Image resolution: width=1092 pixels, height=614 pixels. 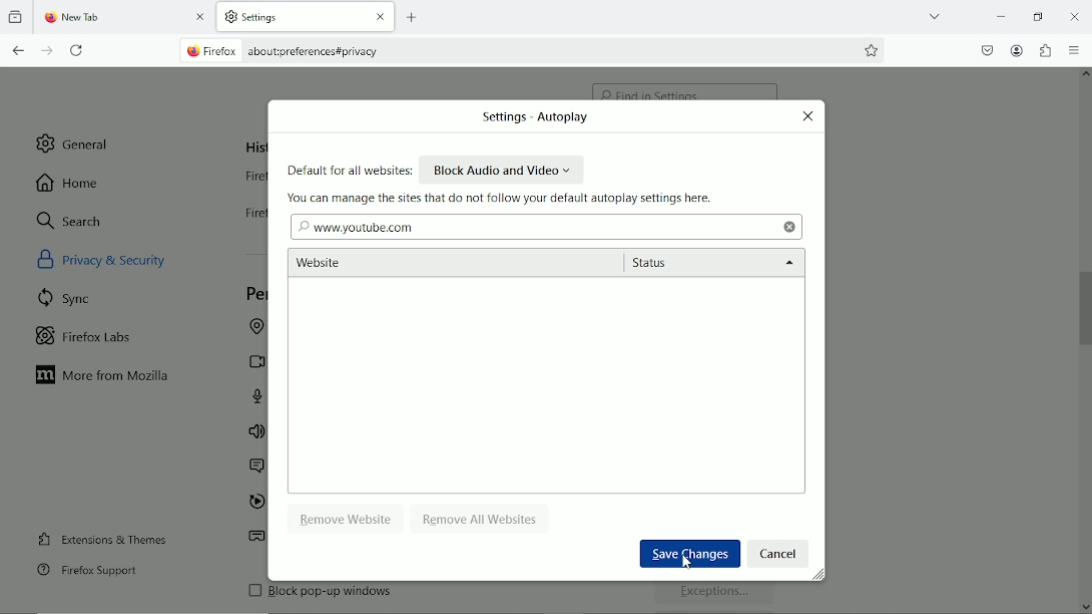 What do you see at coordinates (66, 297) in the screenshot?
I see `sync` at bounding box center [66, 297].